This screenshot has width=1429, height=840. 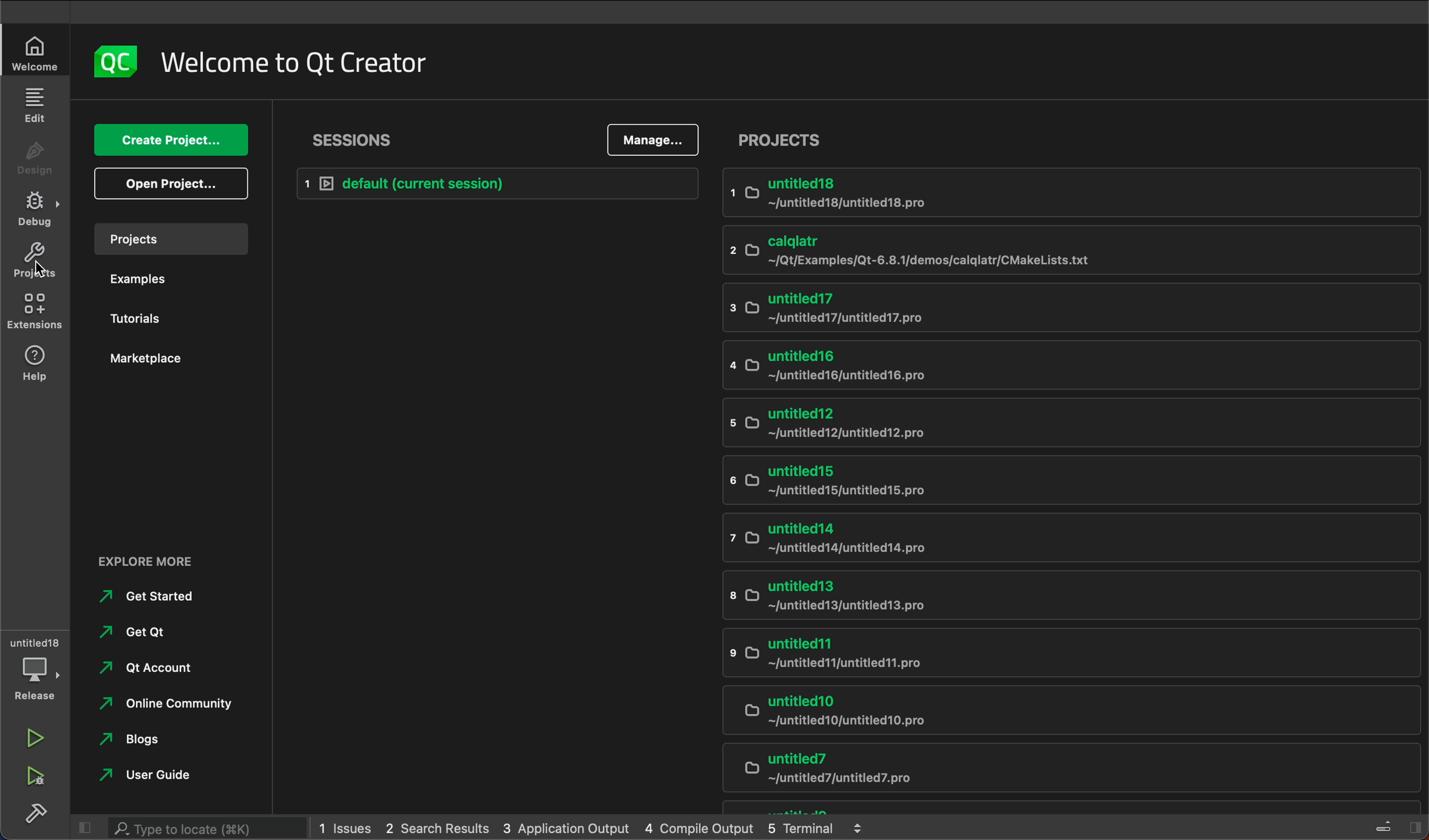 I want to click on edit, so click(x=38, y=106).